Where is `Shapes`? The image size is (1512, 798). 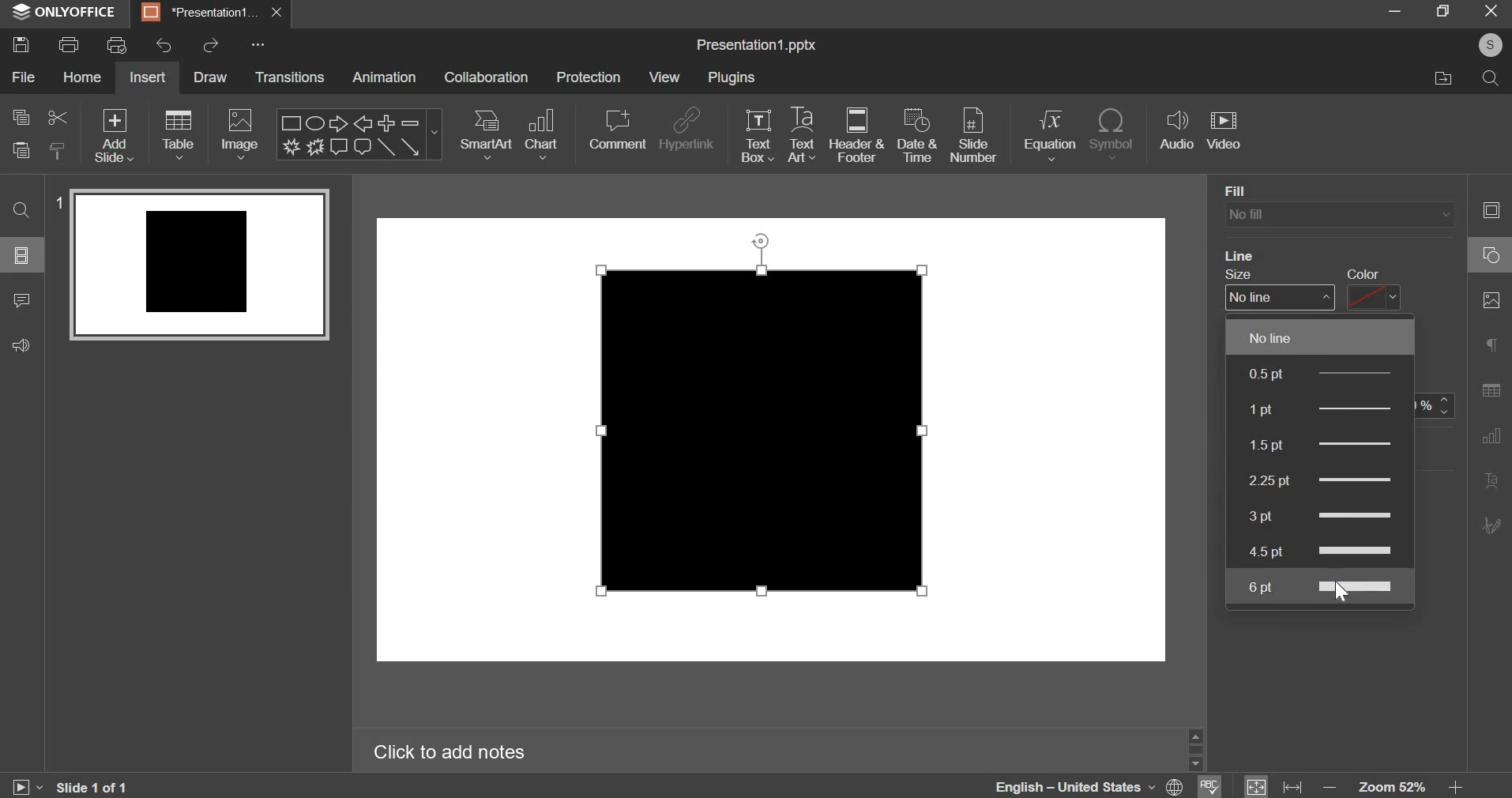 Shapes is located at coordinates (1490, 209).